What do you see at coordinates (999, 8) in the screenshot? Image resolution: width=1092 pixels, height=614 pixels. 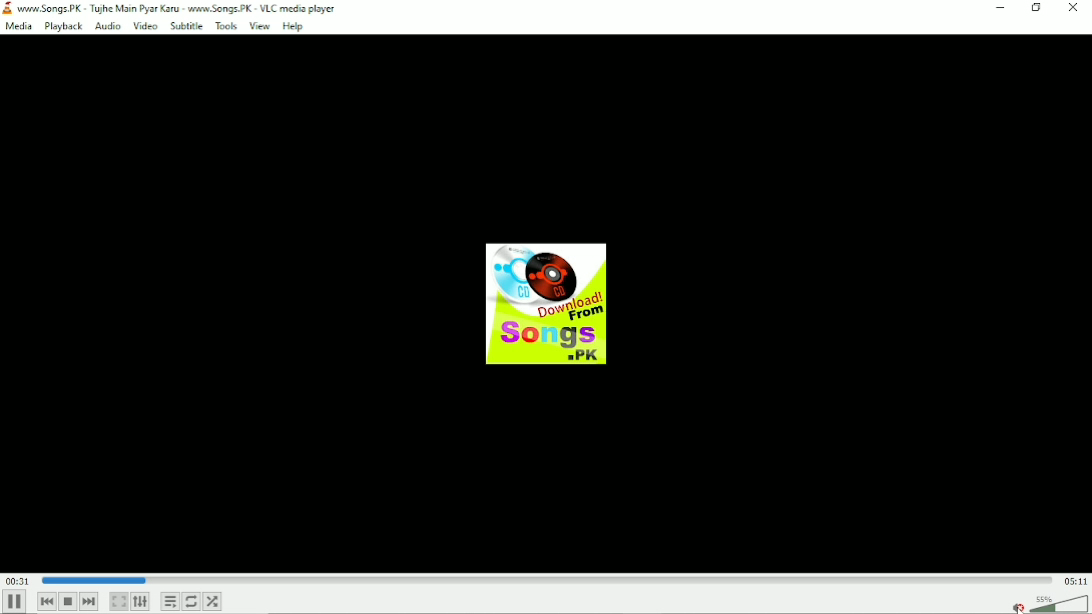 I see `Minimize` at bounding box center [999, 8].